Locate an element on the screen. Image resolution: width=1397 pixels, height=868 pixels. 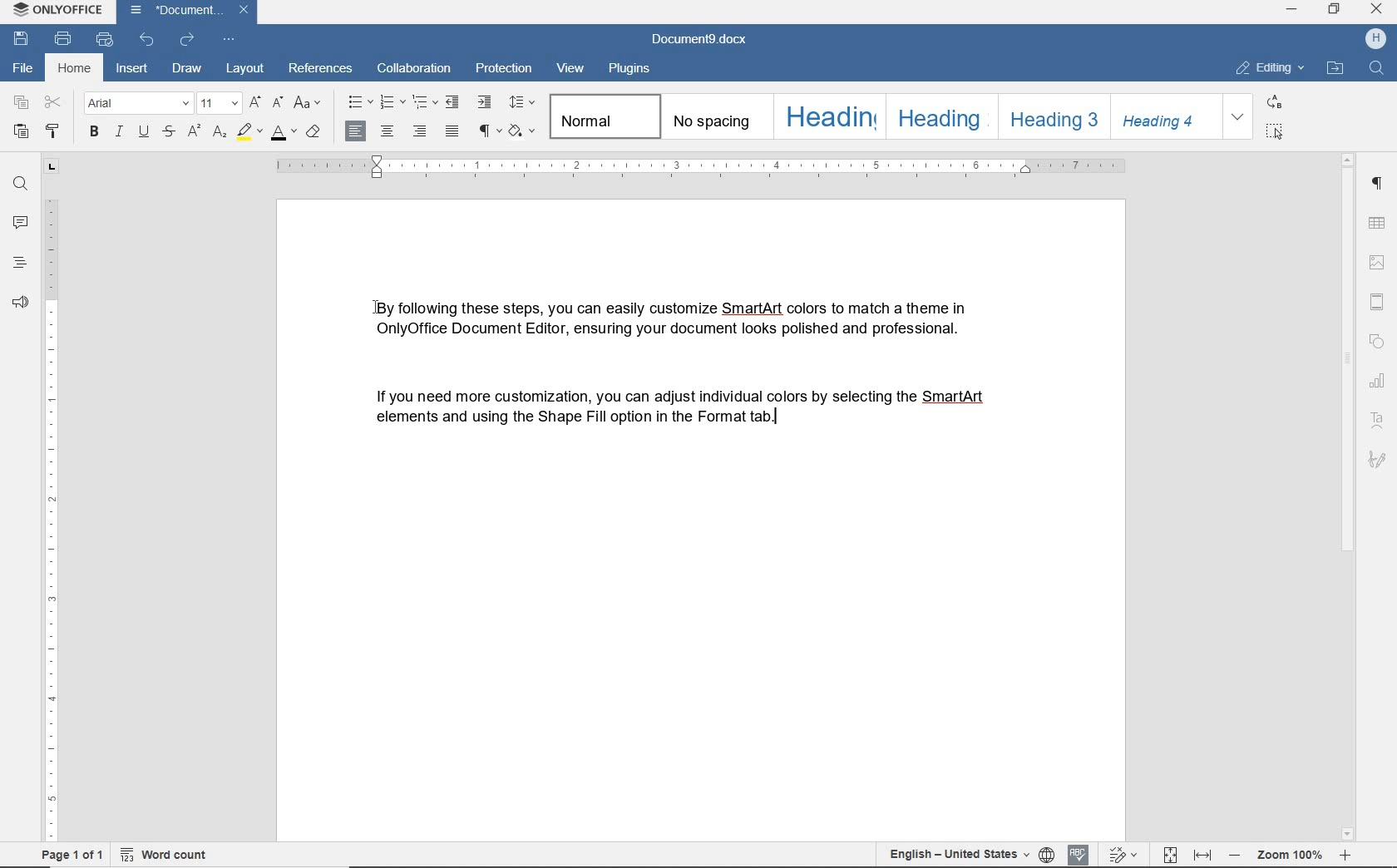
page 1 of 1 is located at coordinates (74, 852).